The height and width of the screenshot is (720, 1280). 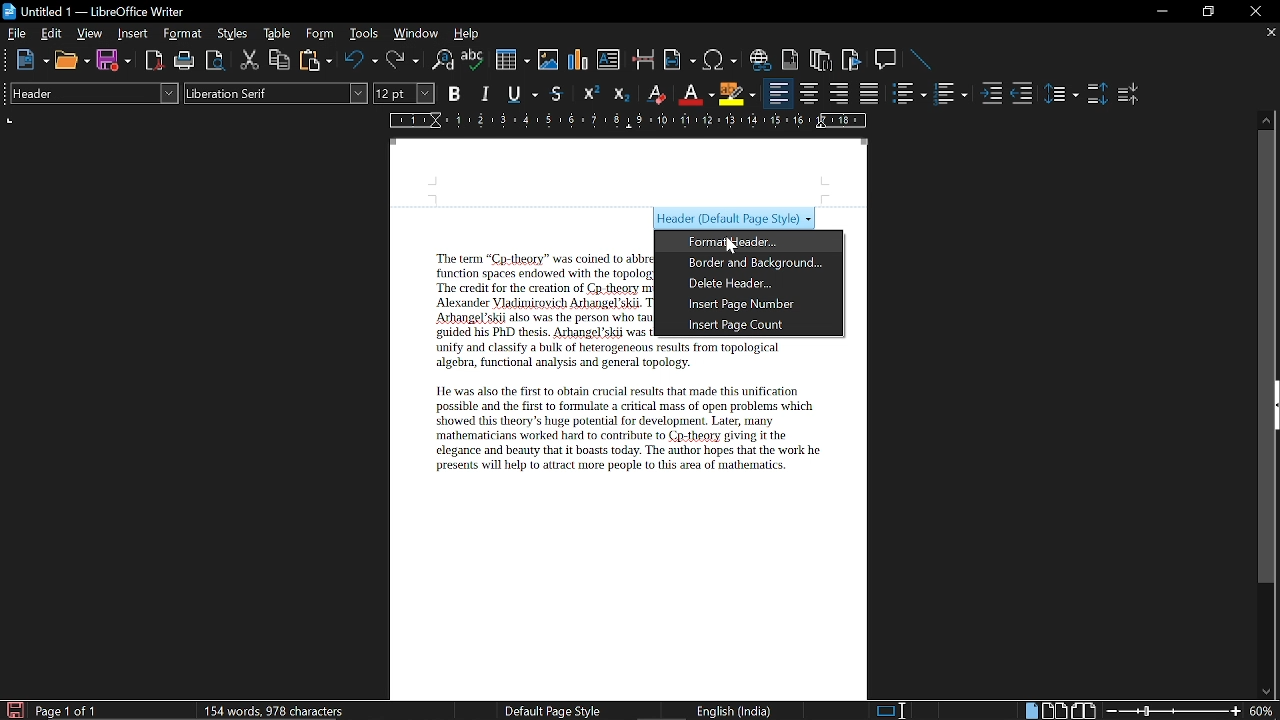 I want to click on Bold, so click(x=454, y=96).